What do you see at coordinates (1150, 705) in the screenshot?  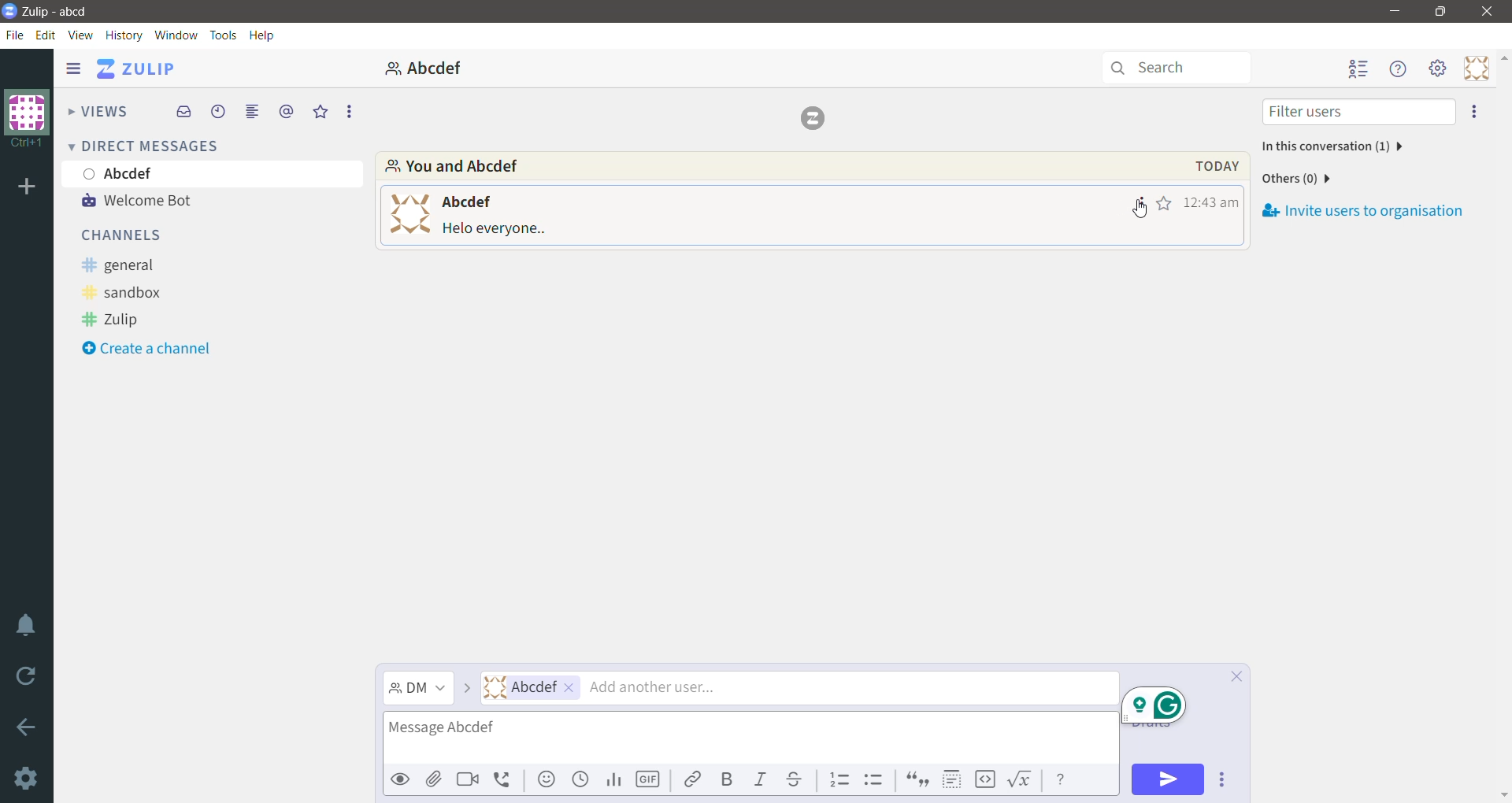 I see `popup` at bounding box center [1150, 705].